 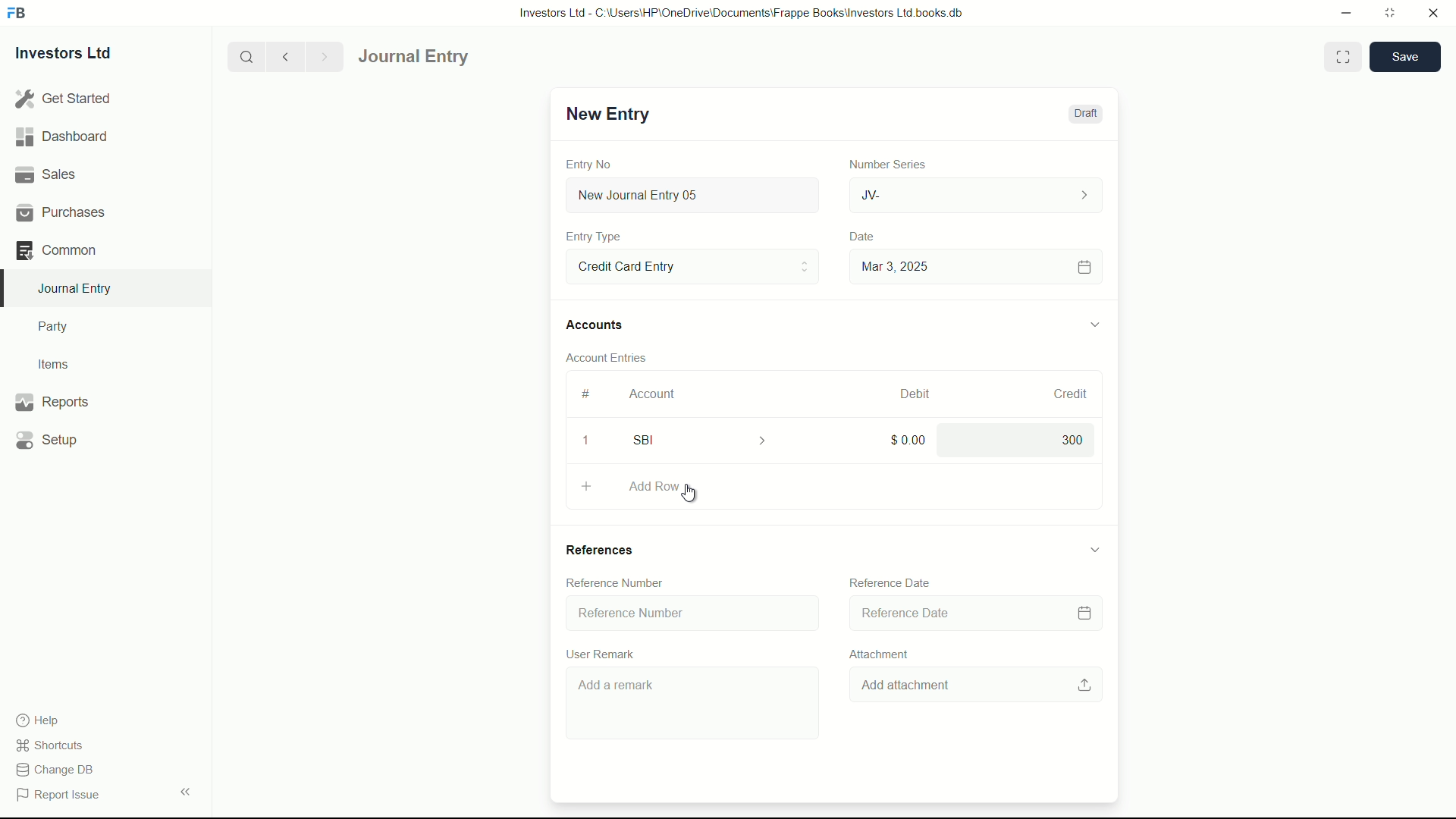 I want to click on Reference Number, so click(x=689, y=613).